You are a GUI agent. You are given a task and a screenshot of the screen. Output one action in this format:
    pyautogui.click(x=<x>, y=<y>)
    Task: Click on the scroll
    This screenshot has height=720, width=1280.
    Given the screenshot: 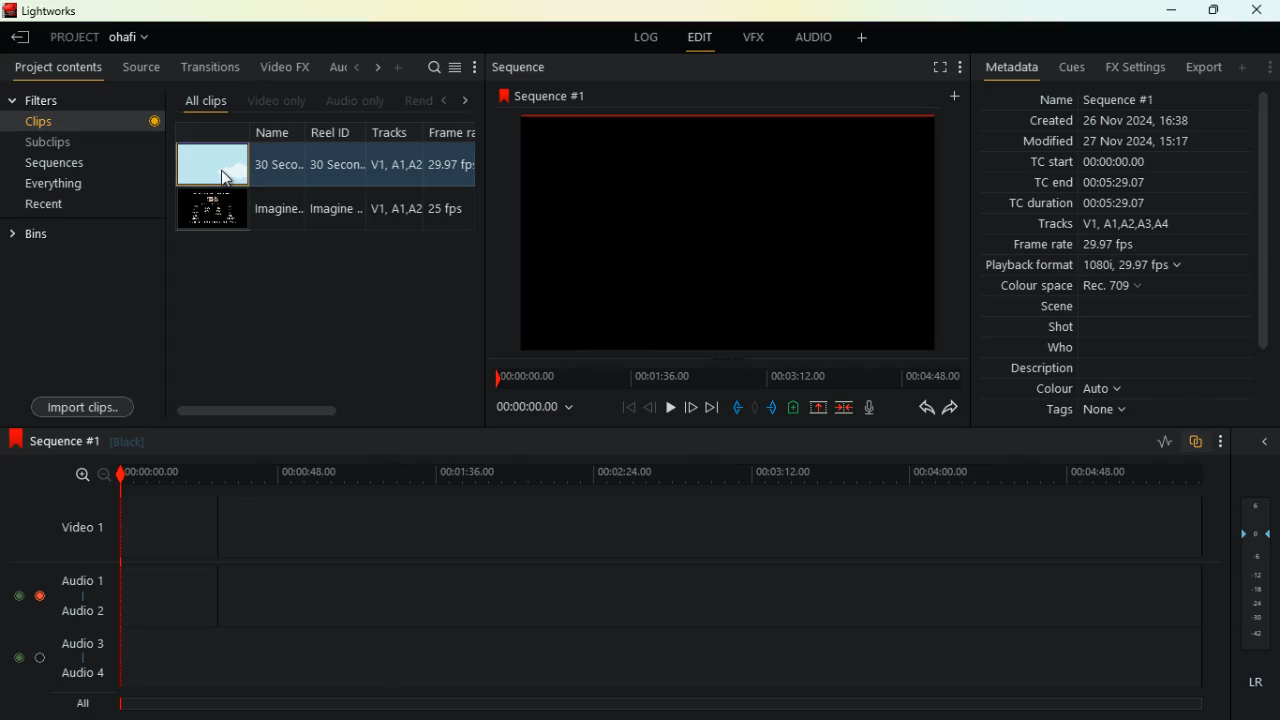 What is the action you would take?
    pyautogui.click(x=292, y=404)
    